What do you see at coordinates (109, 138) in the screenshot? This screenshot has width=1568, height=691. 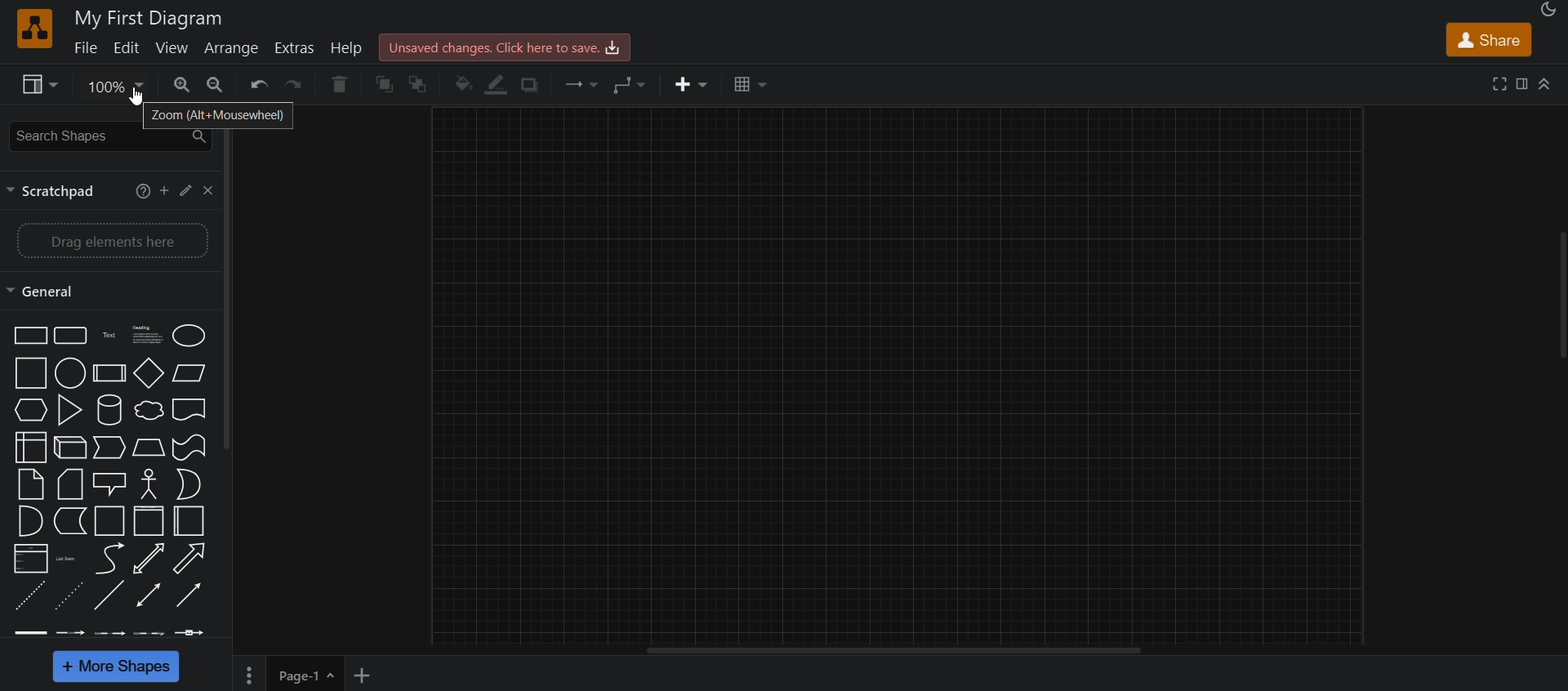 I see `search shapes` at bounding box center [109, 138].